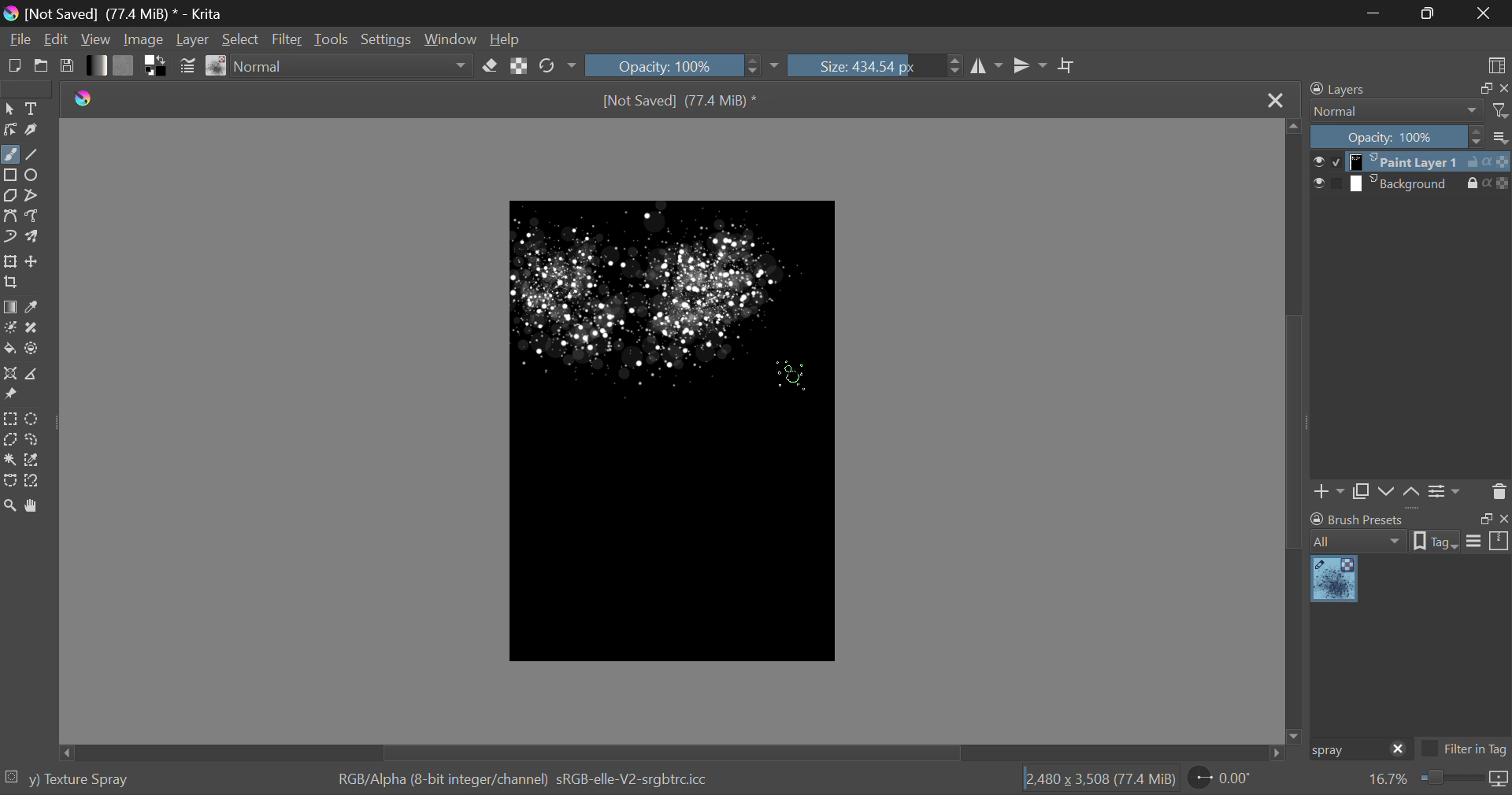  Describe the element at coordinates (241, 39) in the screenshot. I see `Select` at that location.